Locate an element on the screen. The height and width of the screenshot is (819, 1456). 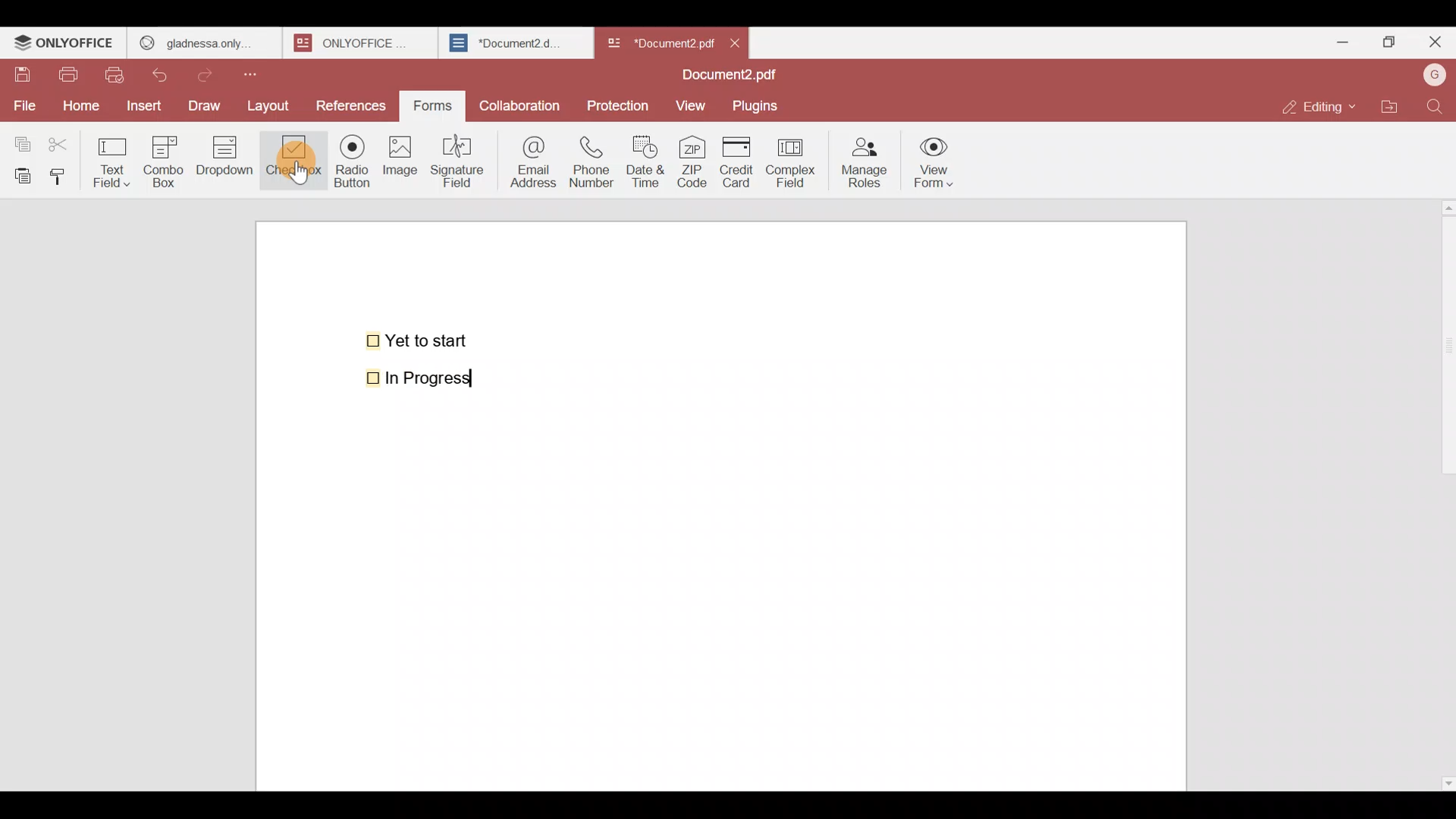
Date & time is located at coordinates (649, 162).